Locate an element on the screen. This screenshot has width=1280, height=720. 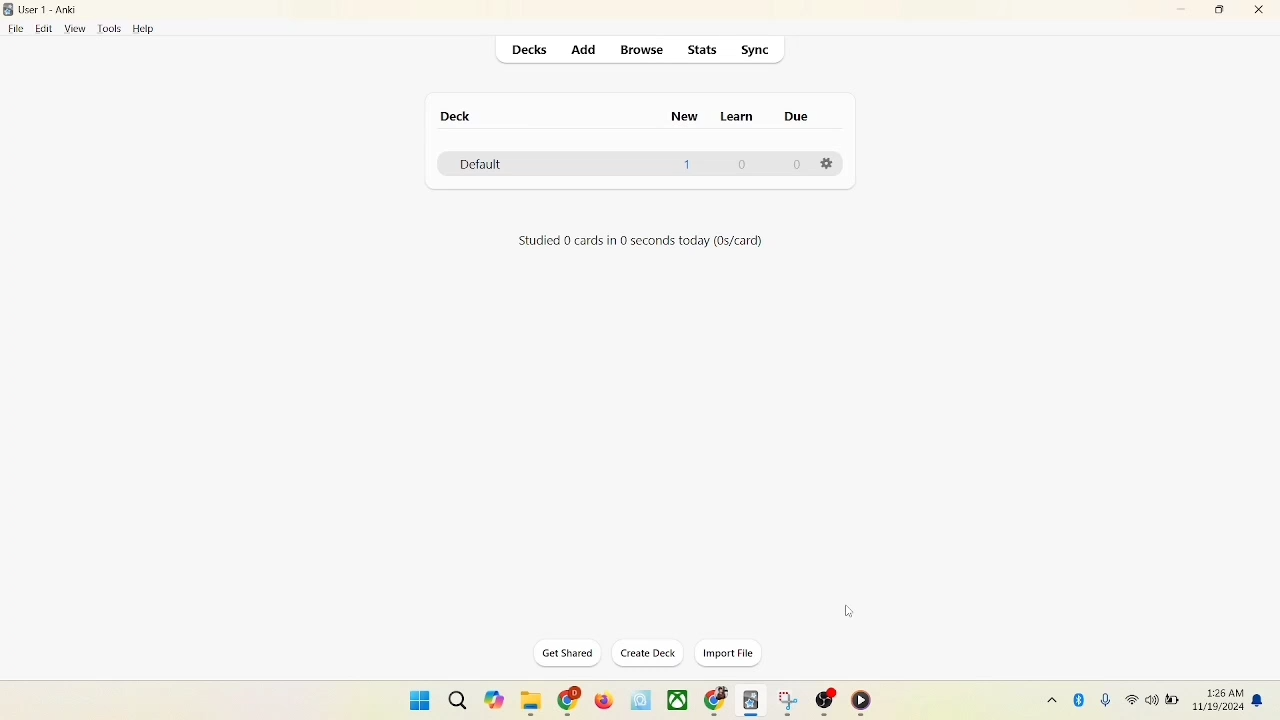
due is located at coordinates (796, 116).